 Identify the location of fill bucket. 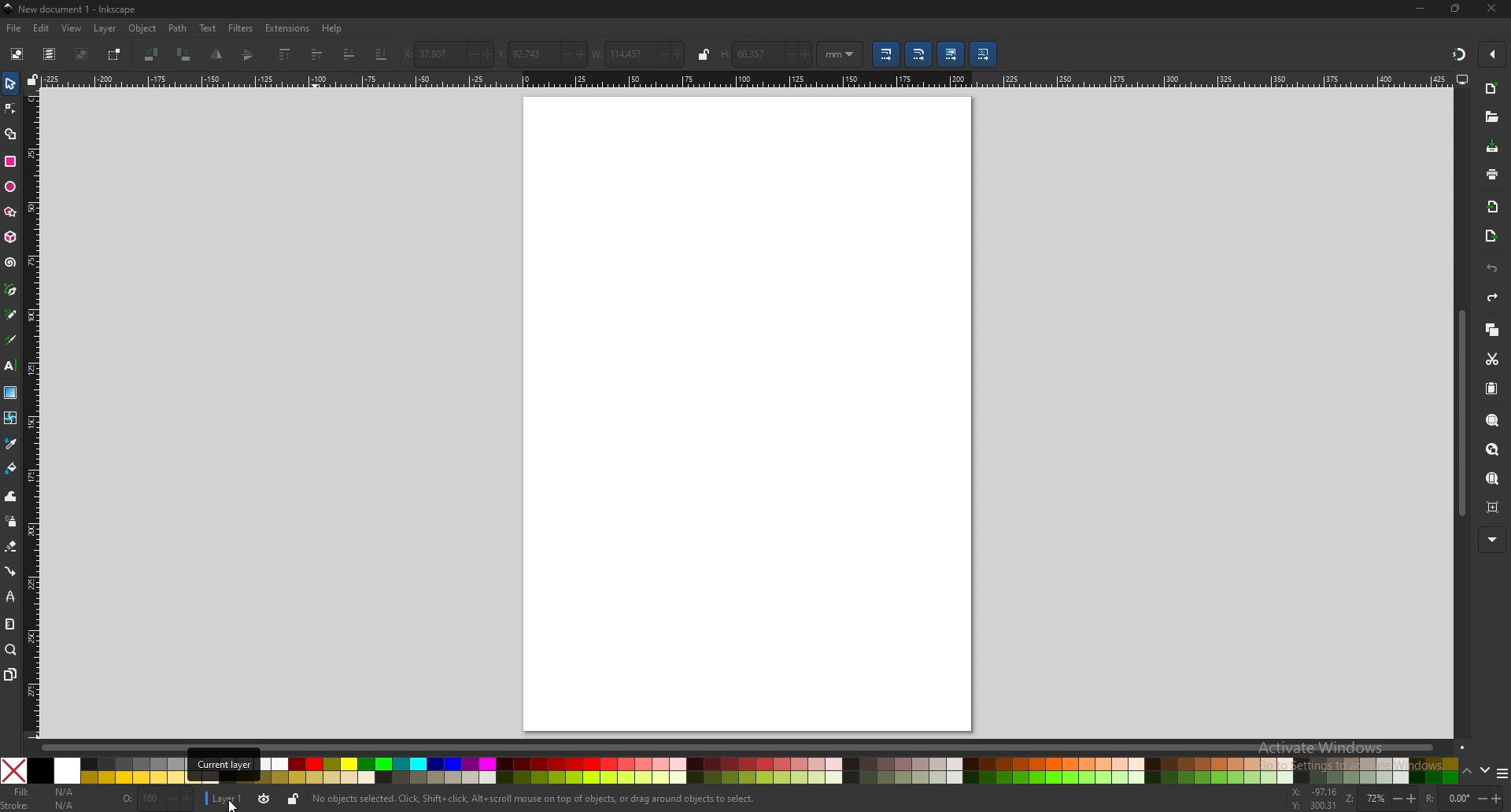
(12, 467).